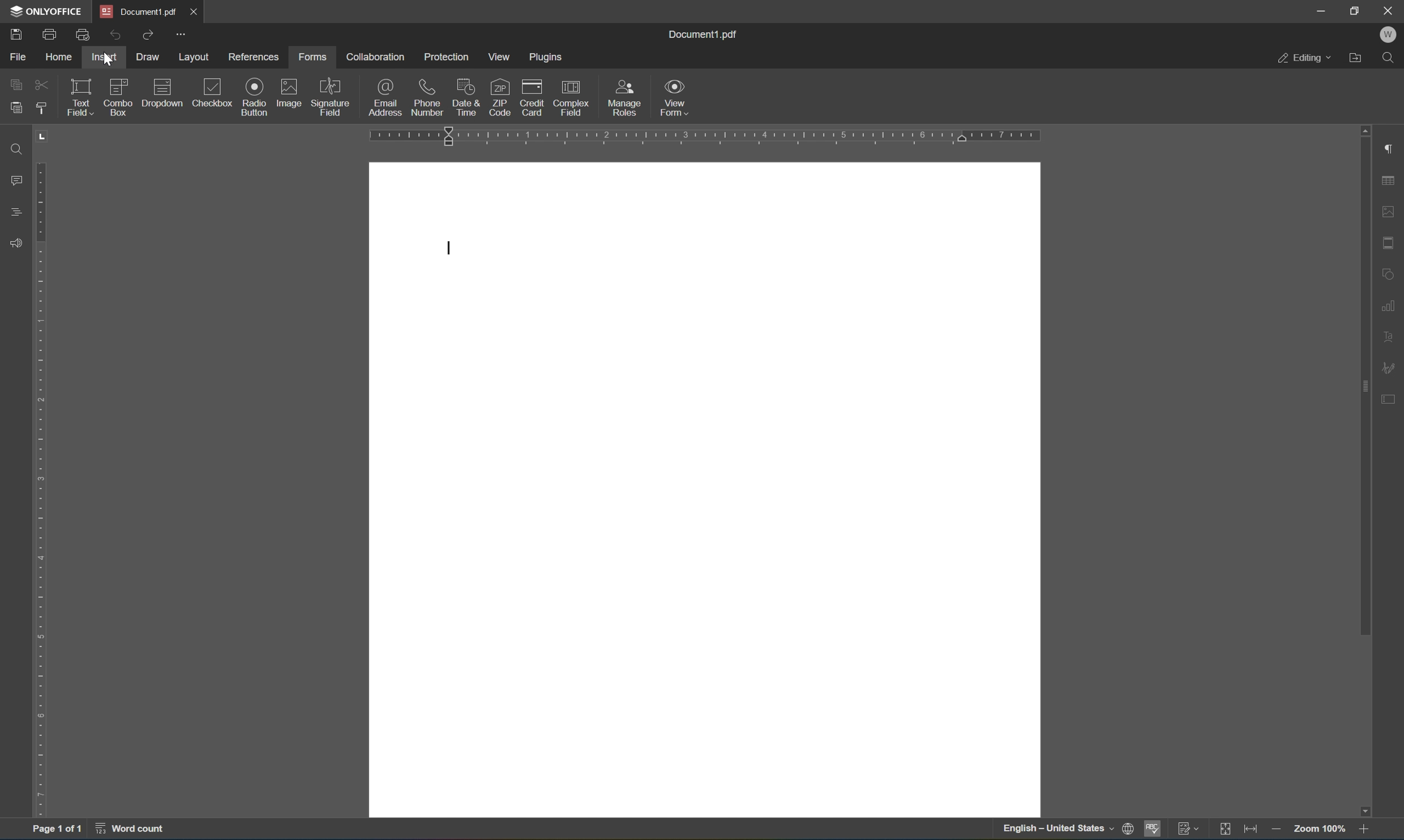  I want to click on layout, so click(195, 58).